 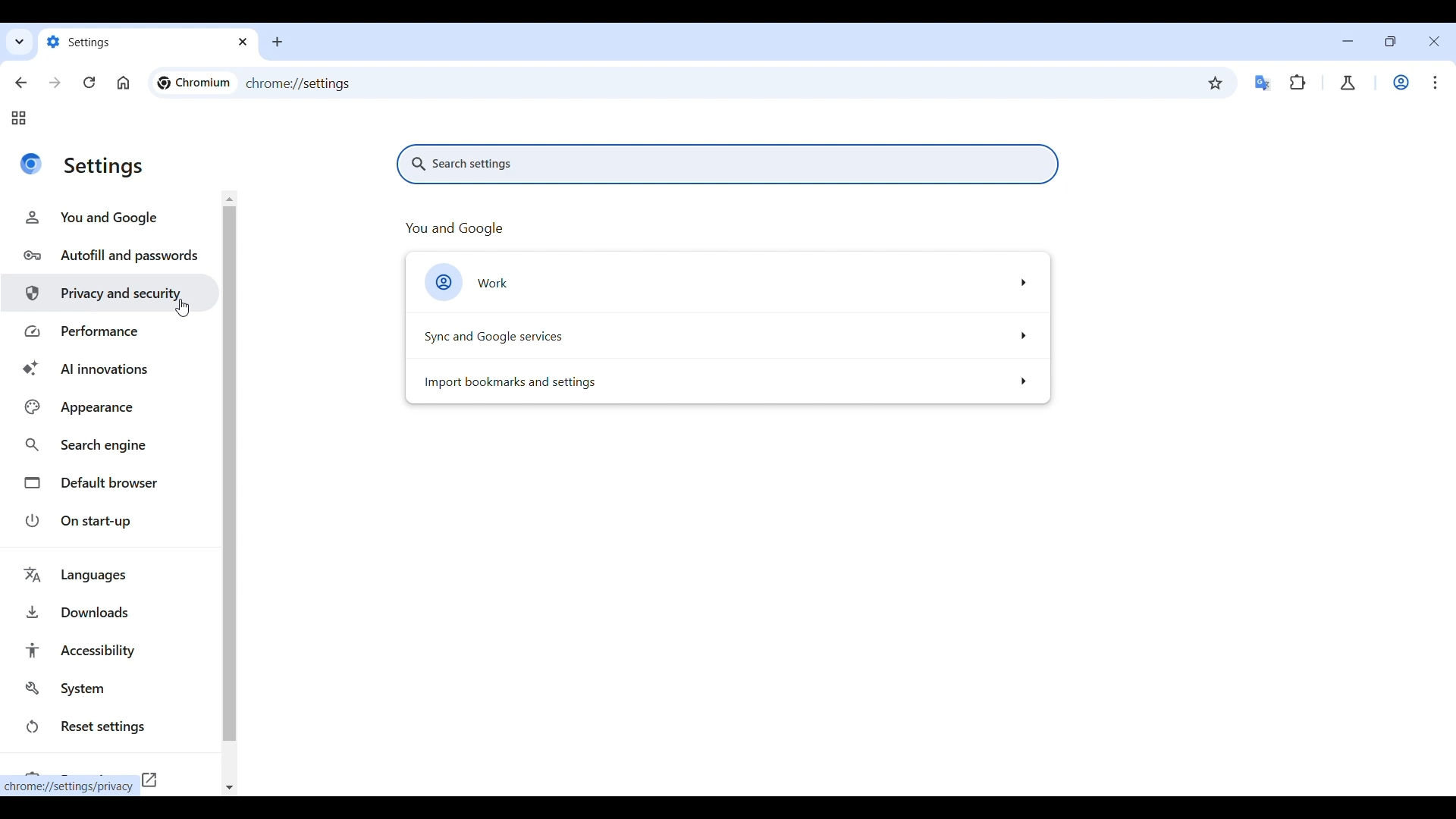 What do you see at coordinates (230, 199) in the screenshot?
I see `Quick slide to top` at bounding box center [230, 199].